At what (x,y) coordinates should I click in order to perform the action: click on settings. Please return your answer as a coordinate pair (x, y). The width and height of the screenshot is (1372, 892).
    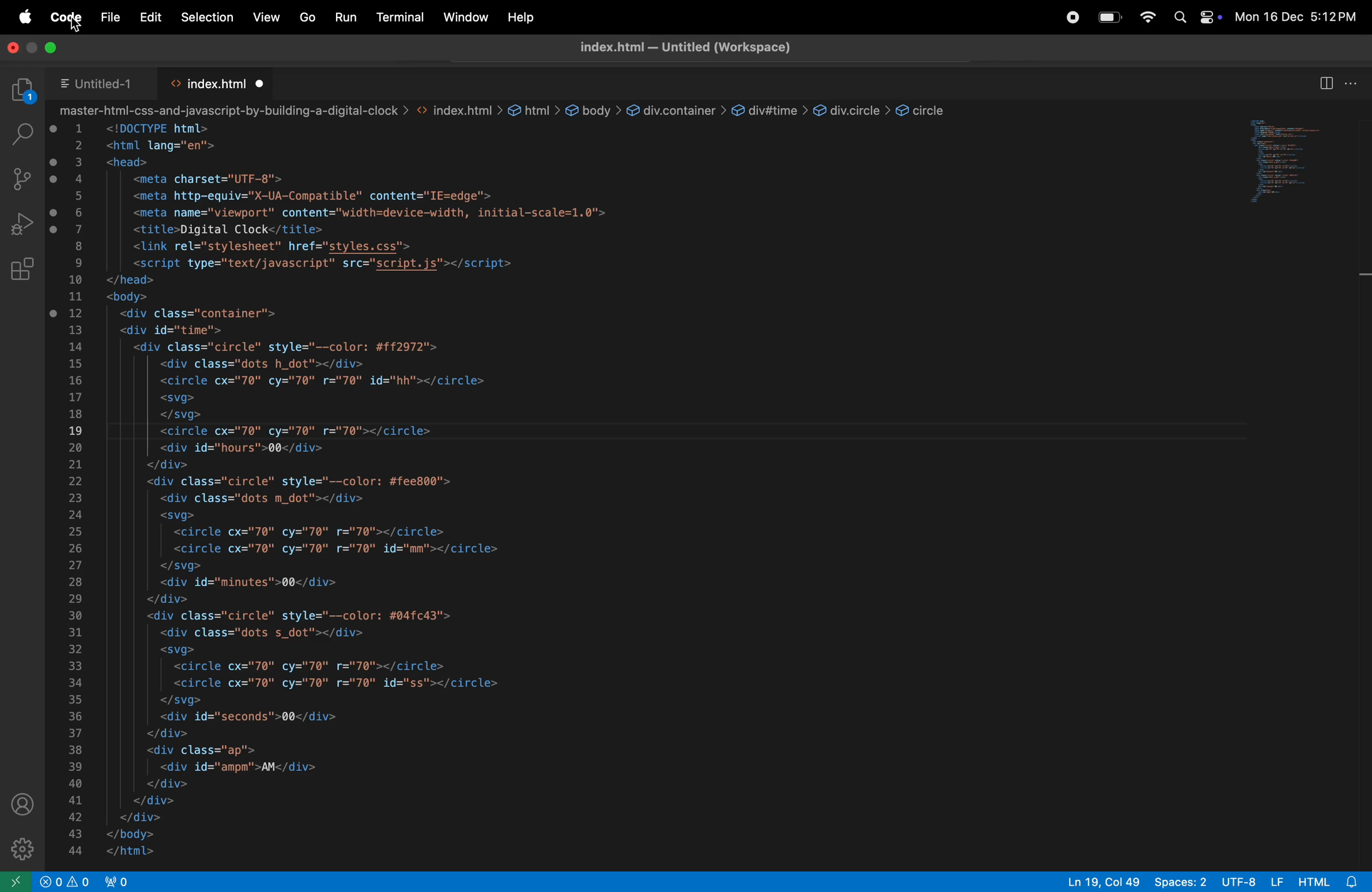
    Looking at the image, I should click on (22, 846).